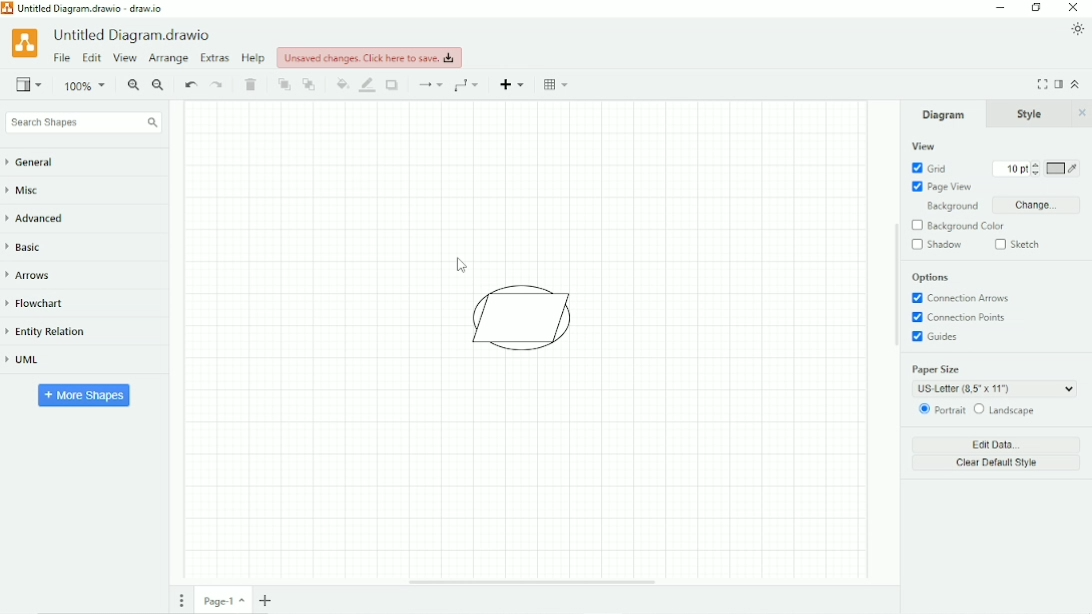 The width and height of the screenshot is (1092, 614). Describe the element at coordinates (929, 168) in the screenshot. I see `Grid` at that location.